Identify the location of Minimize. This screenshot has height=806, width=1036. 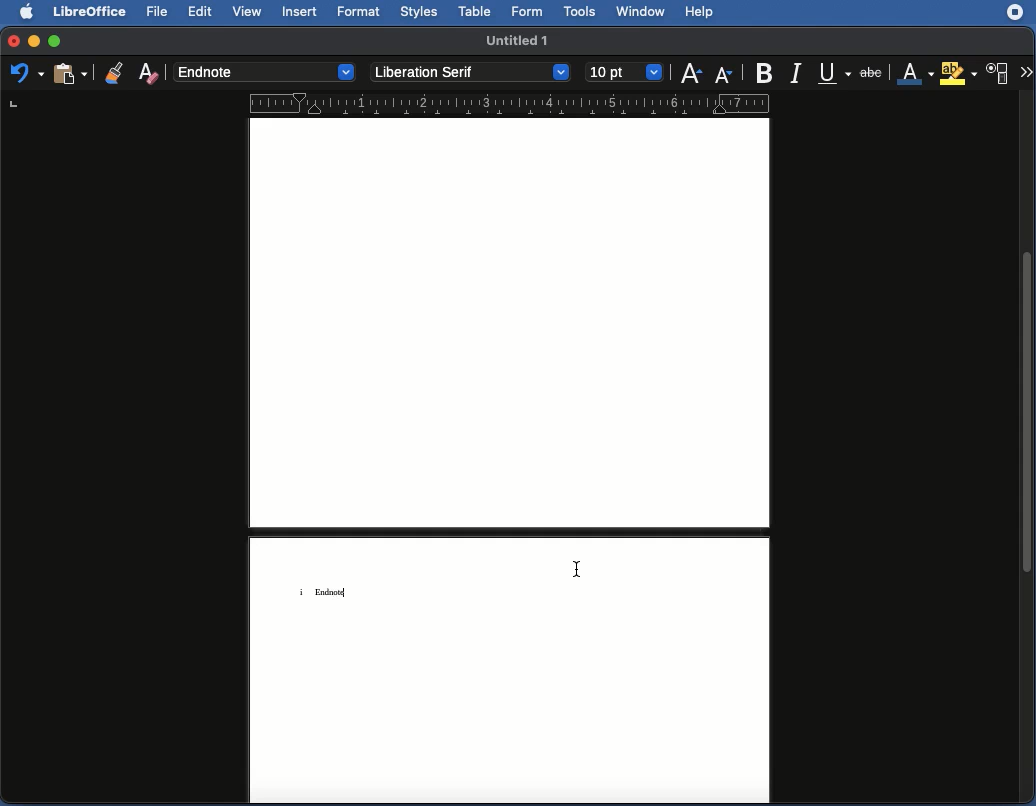
(32, 40).